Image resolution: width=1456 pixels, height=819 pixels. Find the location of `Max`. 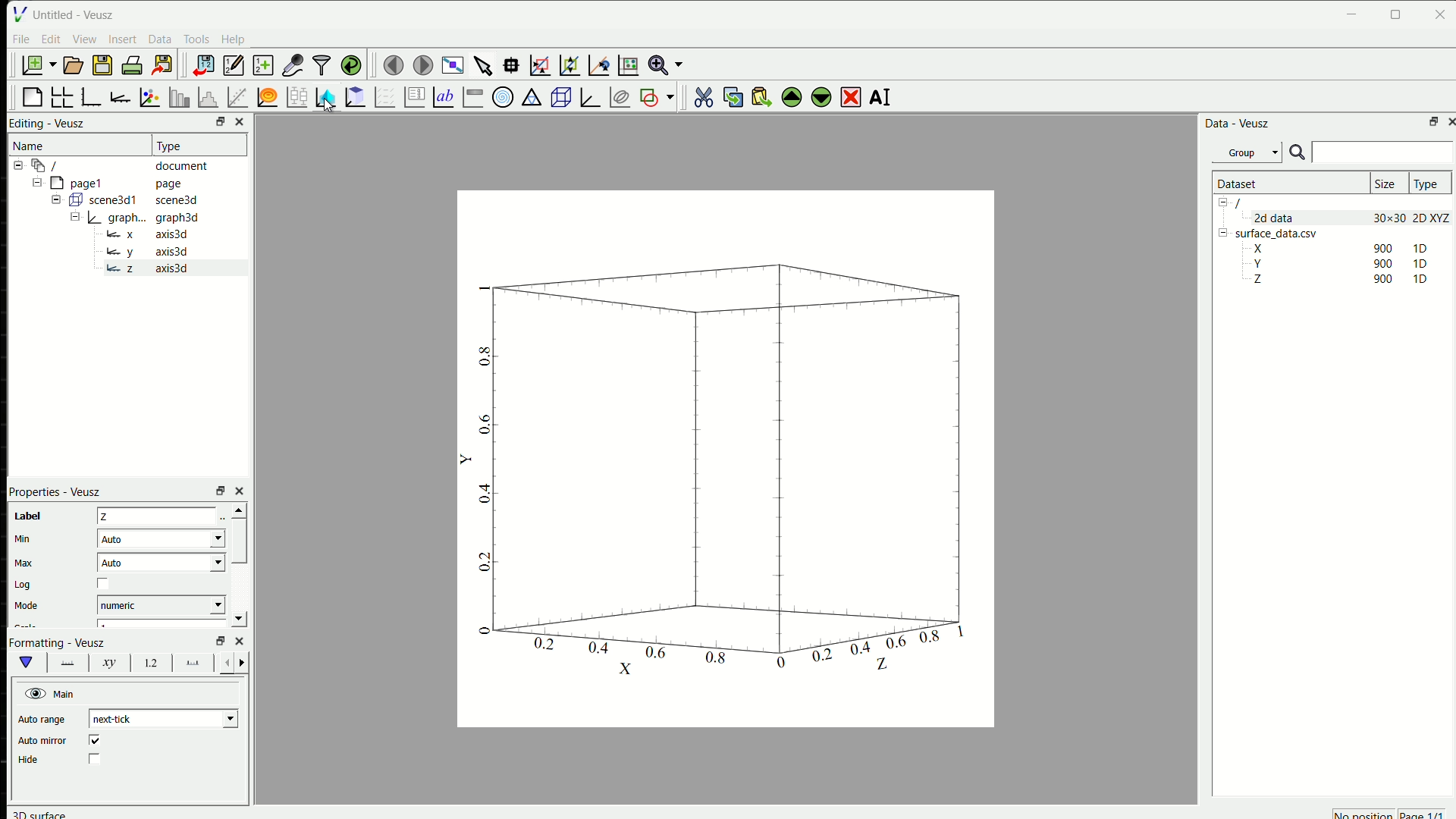

Max is located at coordinates (24, 563).